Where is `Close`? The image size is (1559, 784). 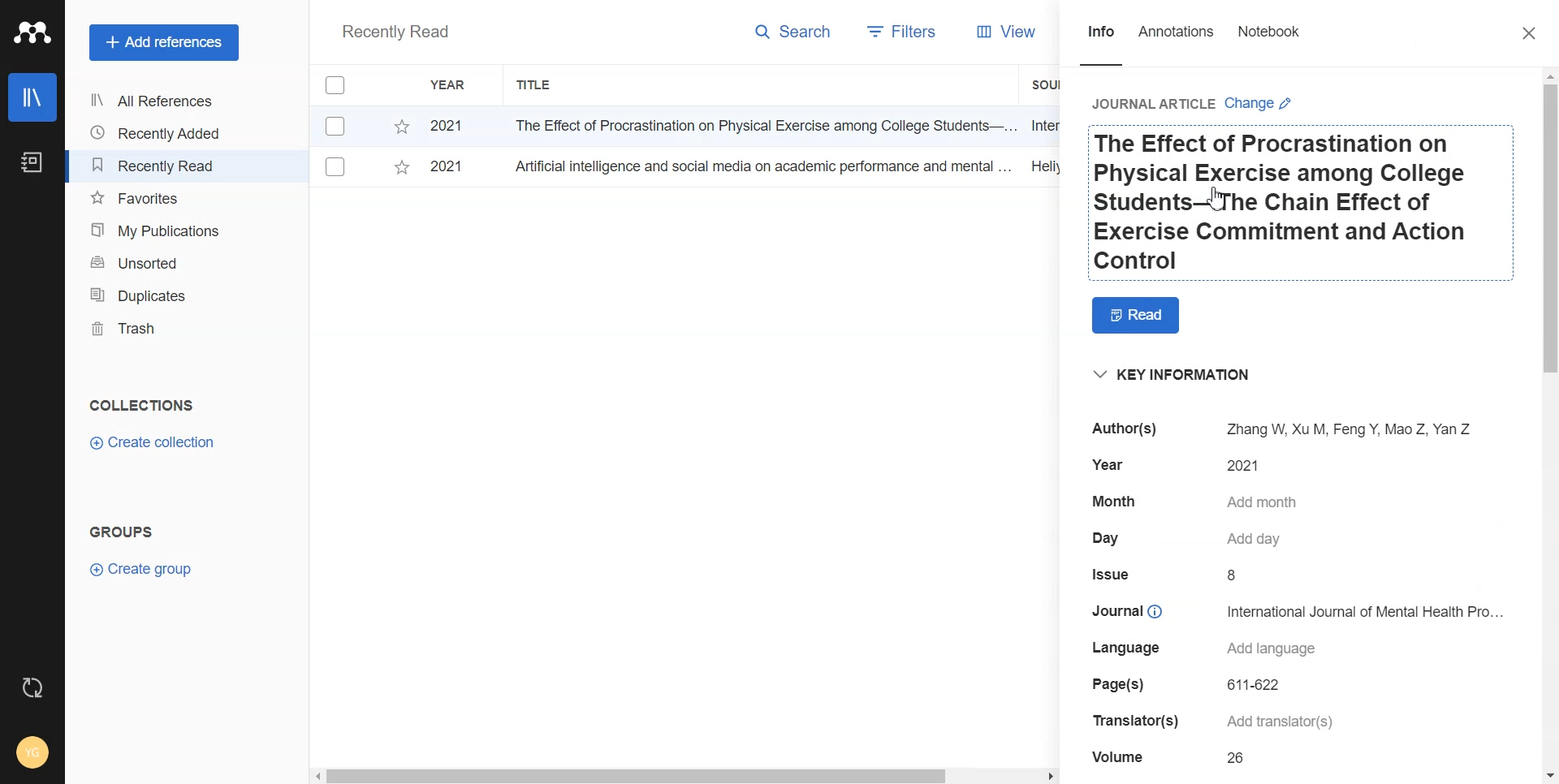
Close is located at coordinates (1530, 35).